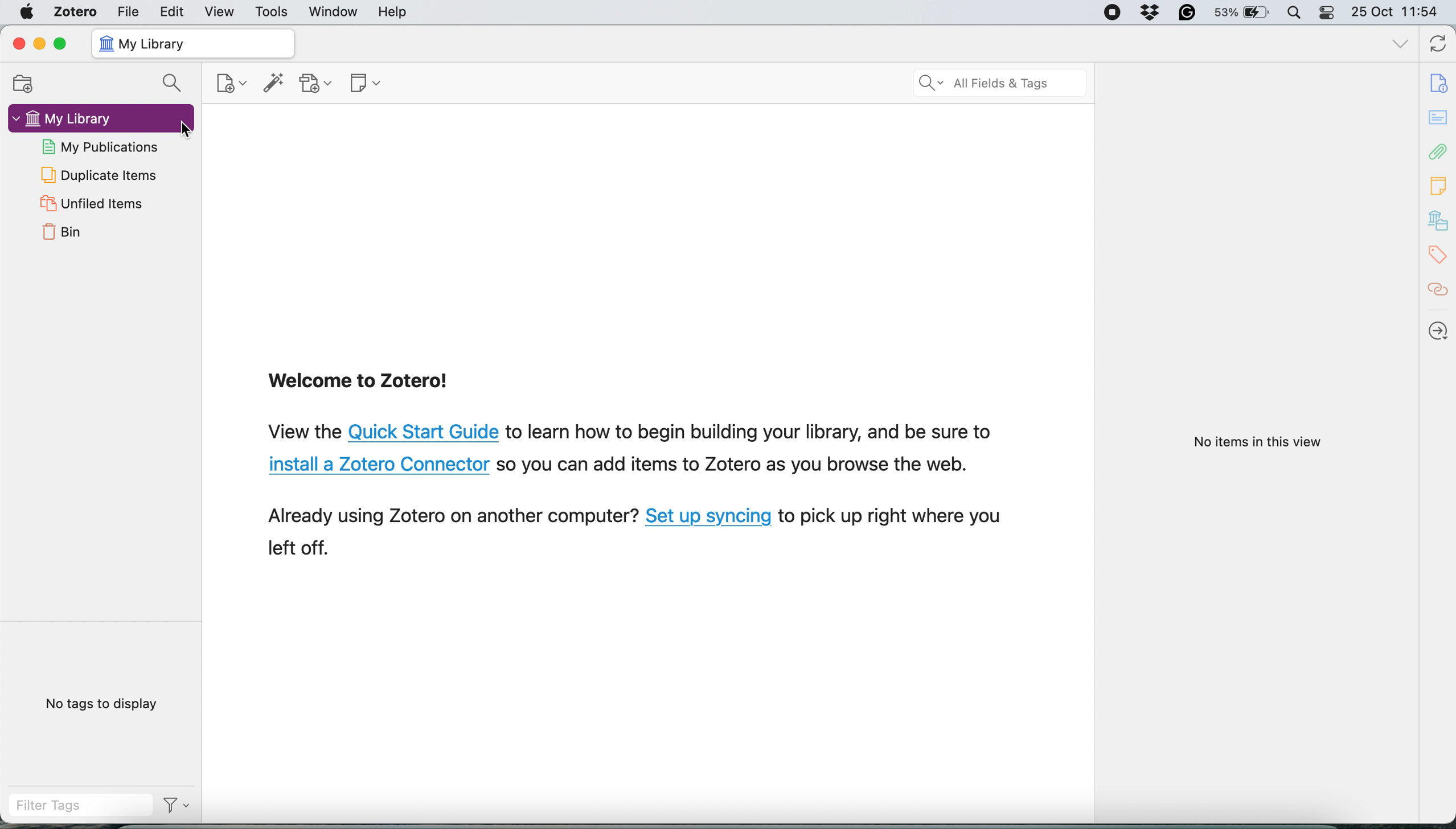 This screenshot has height=829, width=1456. Describe the element at coordinates (188, 130) in the screenshot. I see `cursor` at that location.